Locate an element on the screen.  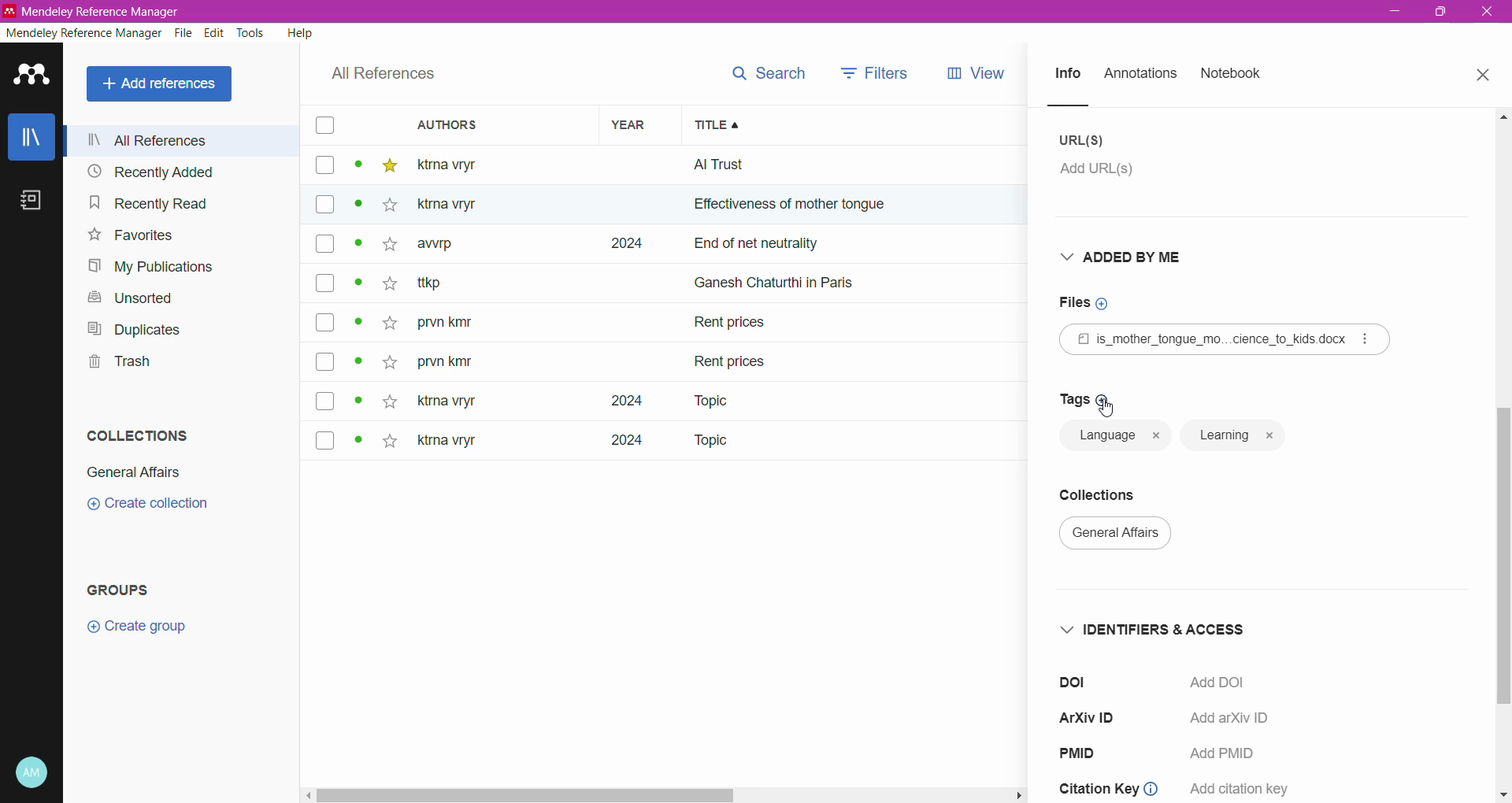
dot  is located at coordinates (360, 401).